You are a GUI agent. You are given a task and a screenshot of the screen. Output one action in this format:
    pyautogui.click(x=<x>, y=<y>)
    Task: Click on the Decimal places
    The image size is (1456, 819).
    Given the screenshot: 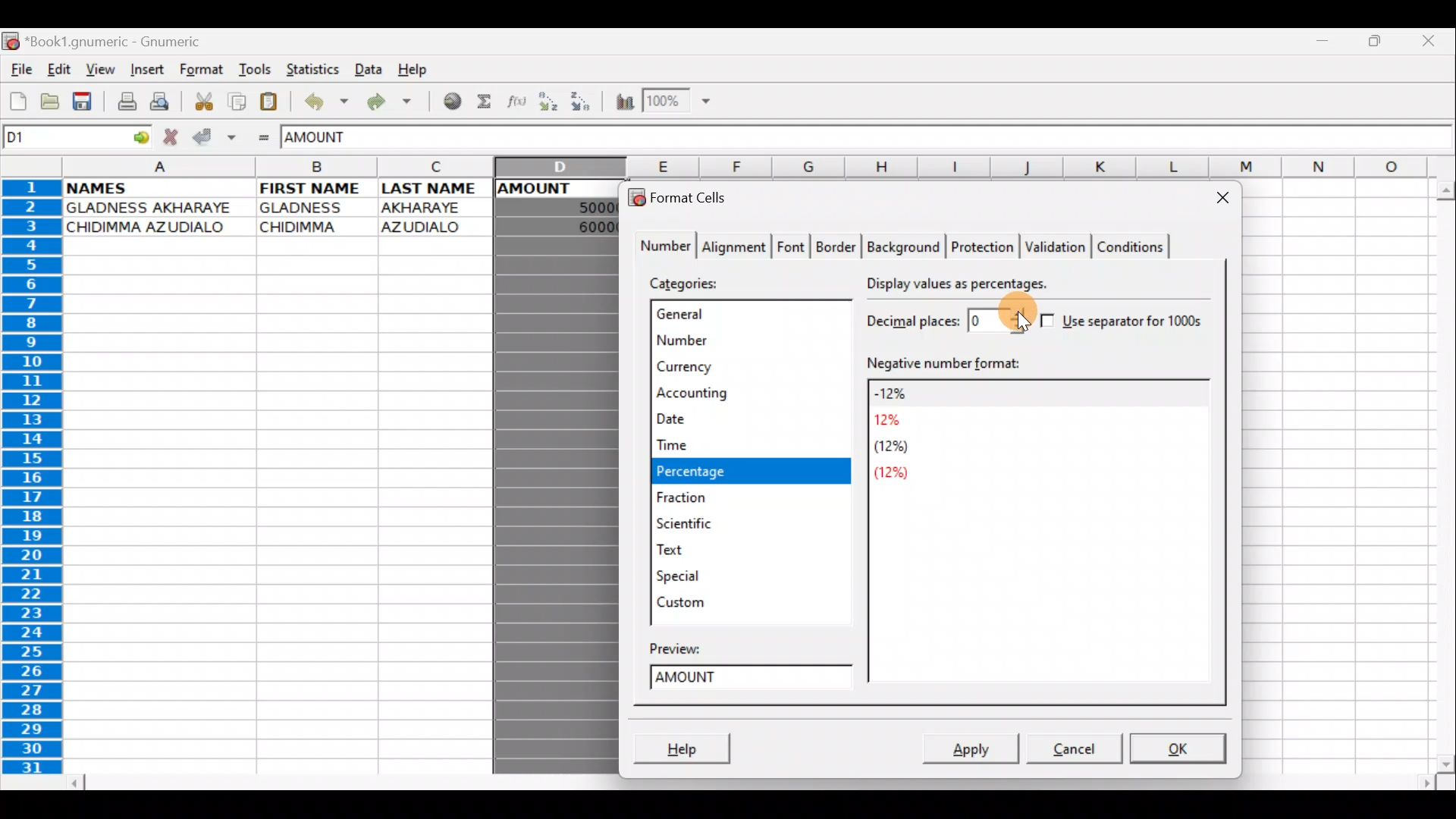 What is the action you would take?
    pyautogui.click(x=942, y=319)
    